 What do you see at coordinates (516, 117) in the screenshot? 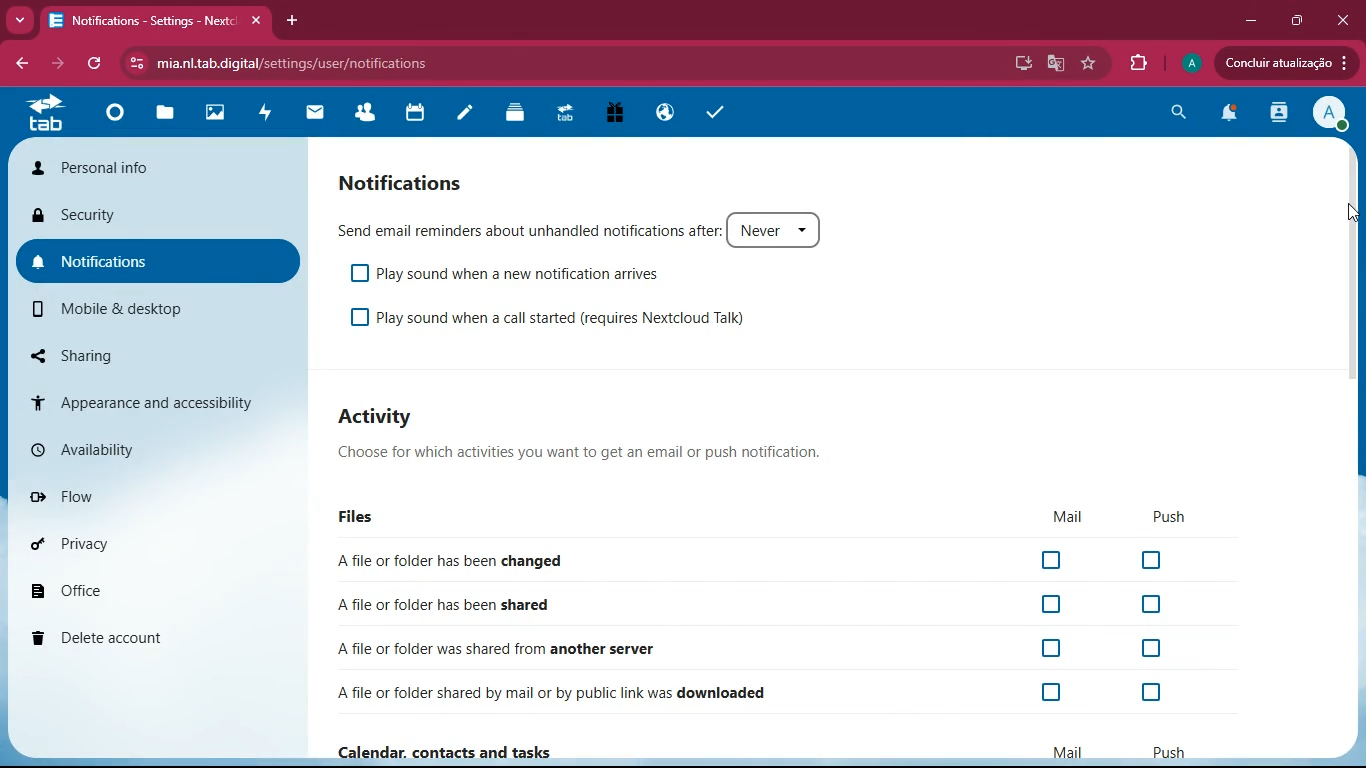
I see `layers` at bounding box center [516, 117].